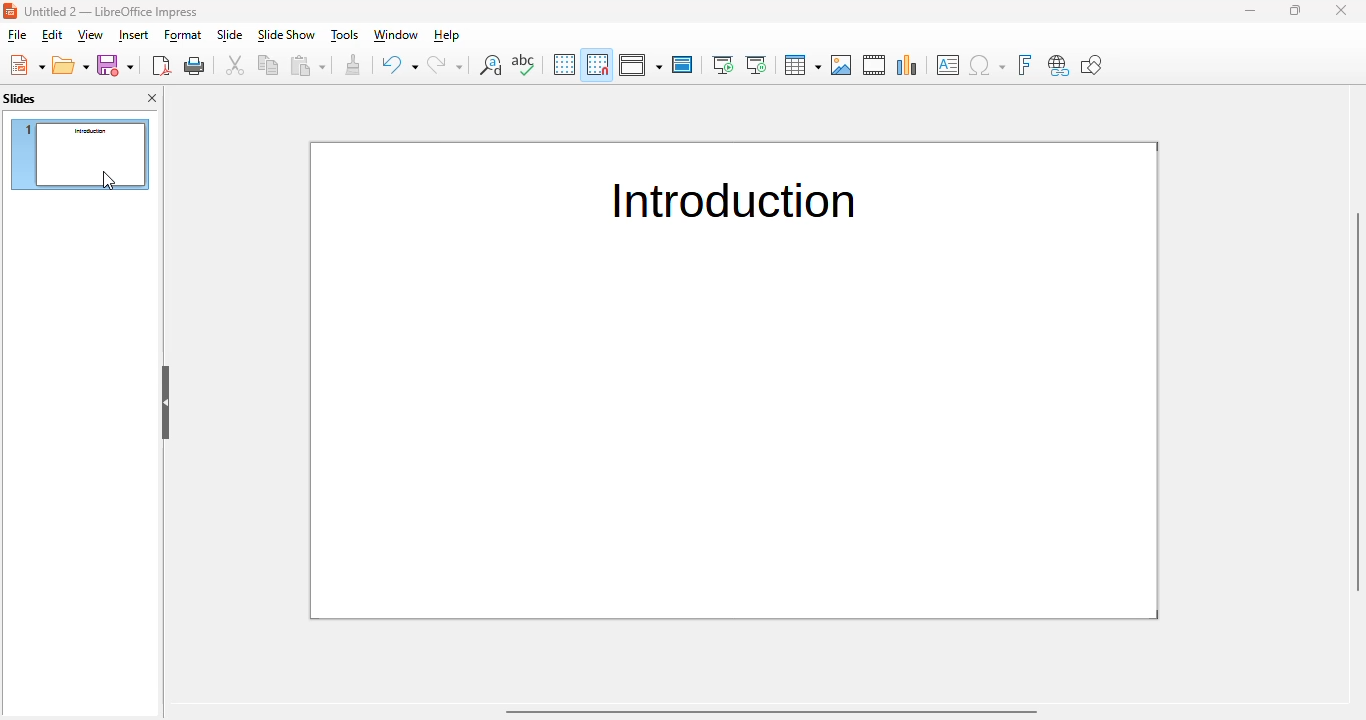 The height and width of the screenshot is (720, 1366). I want to click on minimize, so click(1252, 10).